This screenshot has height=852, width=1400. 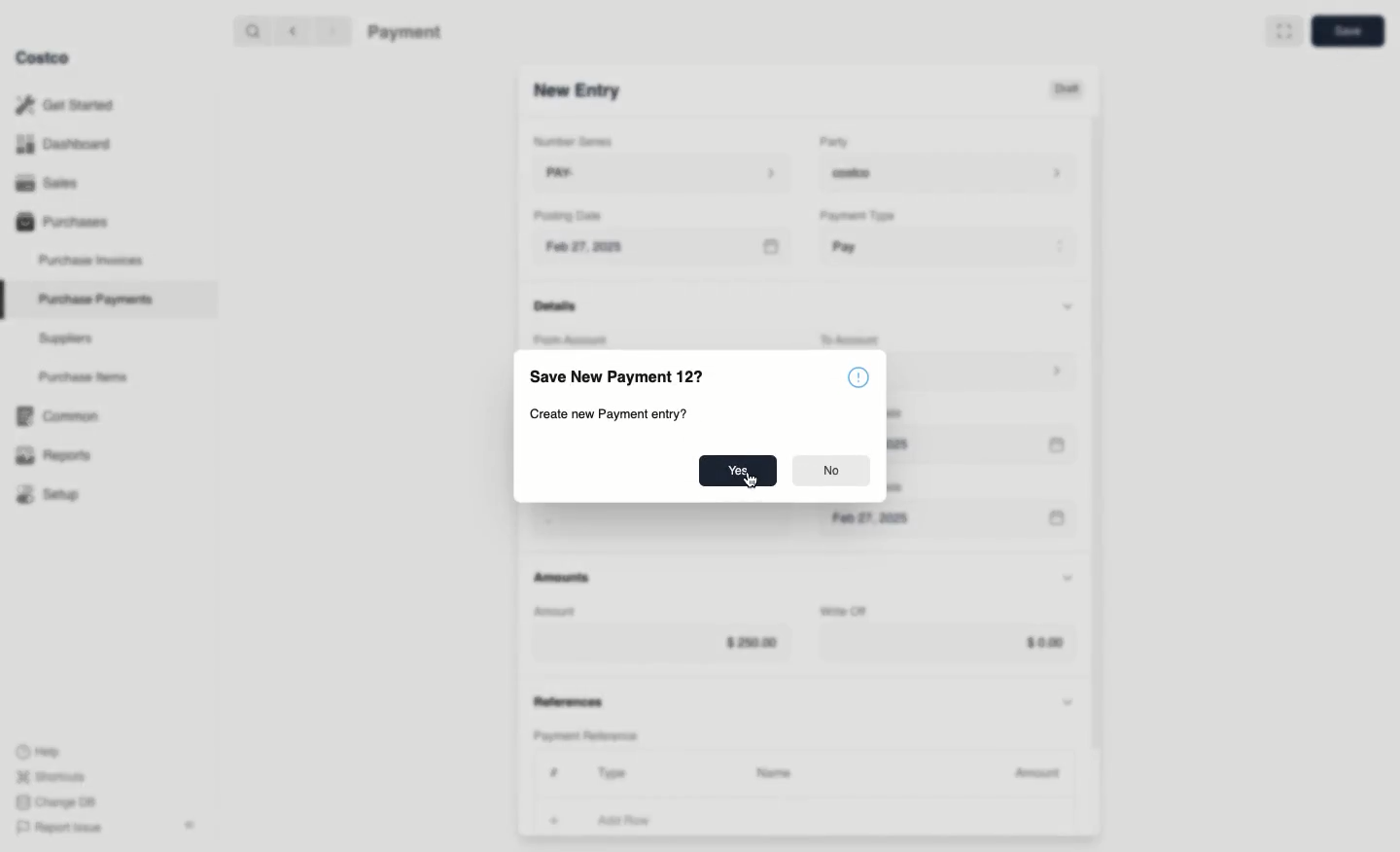 What do you see at coordinates (752, 485) in the screenshot?
I see `cursor` at bounding box center [752, 485].